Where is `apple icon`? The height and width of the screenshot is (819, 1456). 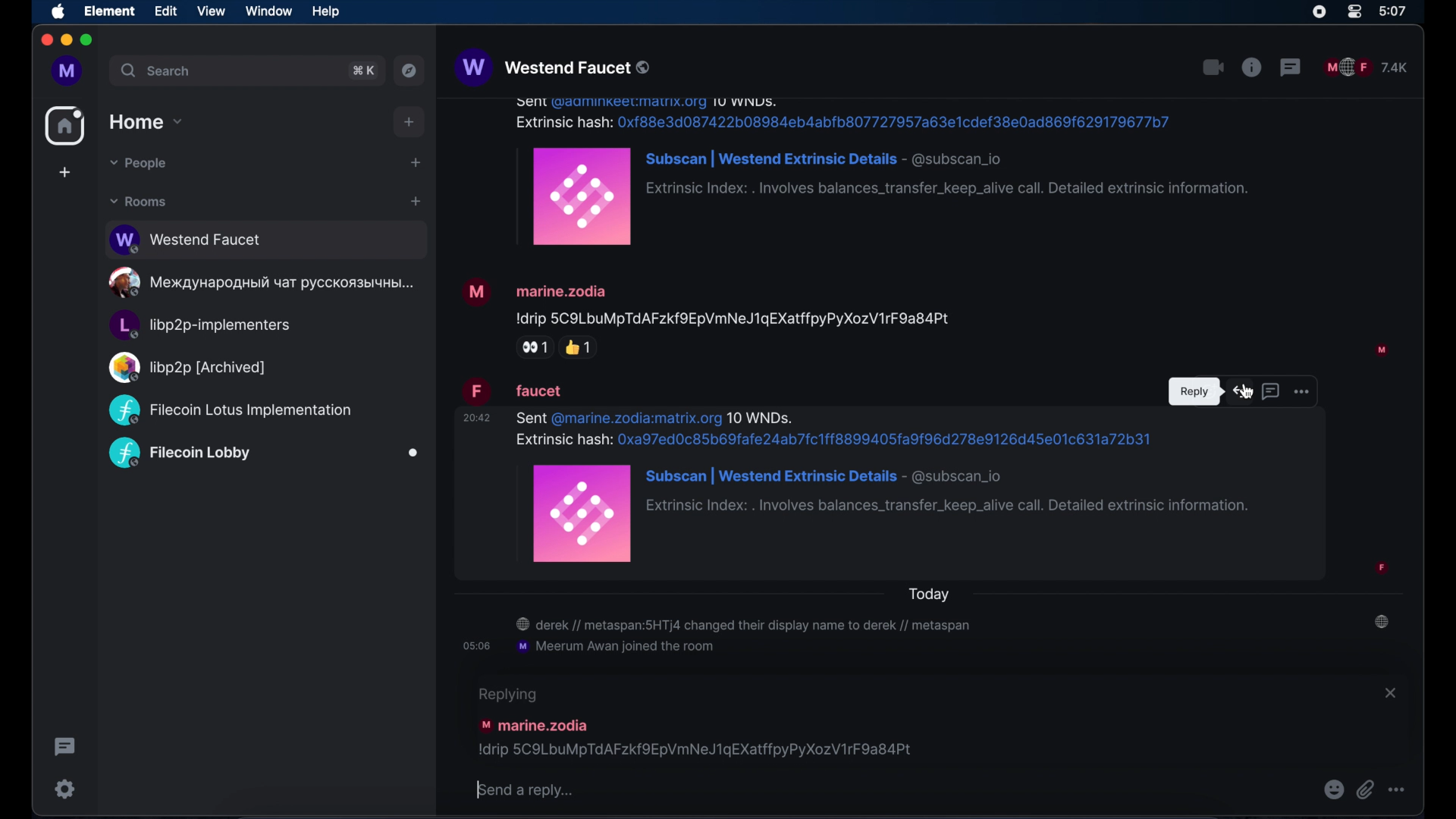 apple icon is located at coordinates (59, 13).